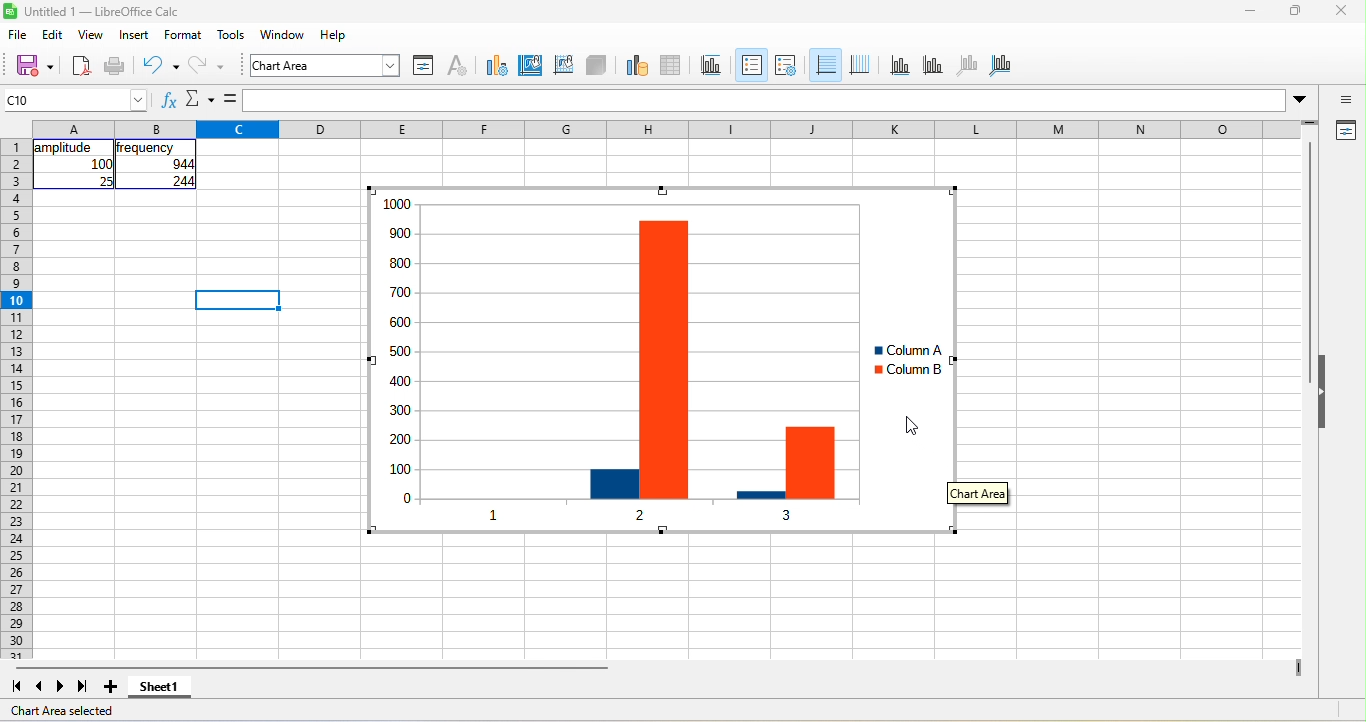 The image size is (1366, 722). I want to click on titles, so click(712, 66).